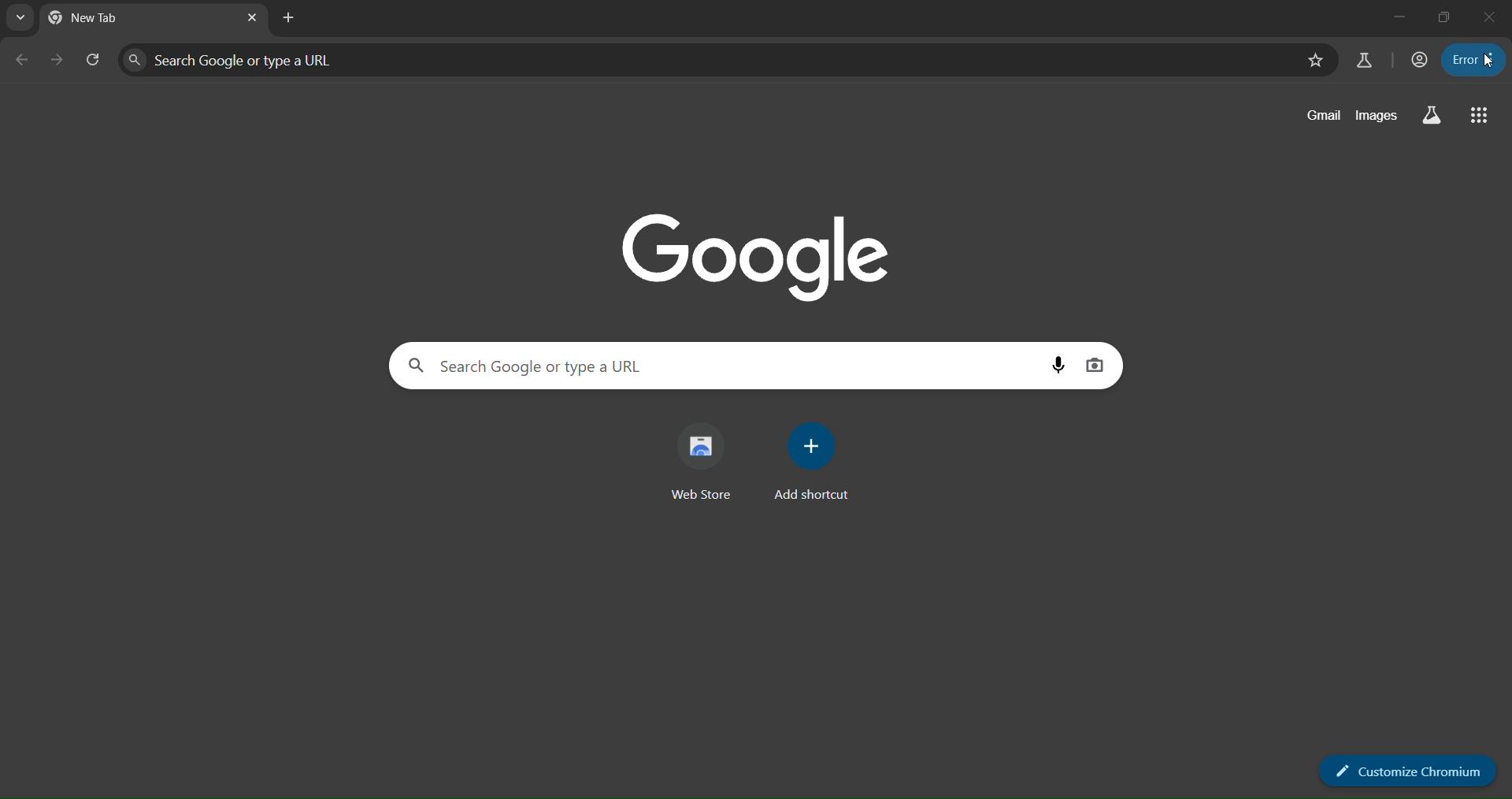 This screenshot has width=1512, height=799. What do you see at coordinates (102, 20) in the screenshot?
I see `current tab` at bounding box center [102, 20].